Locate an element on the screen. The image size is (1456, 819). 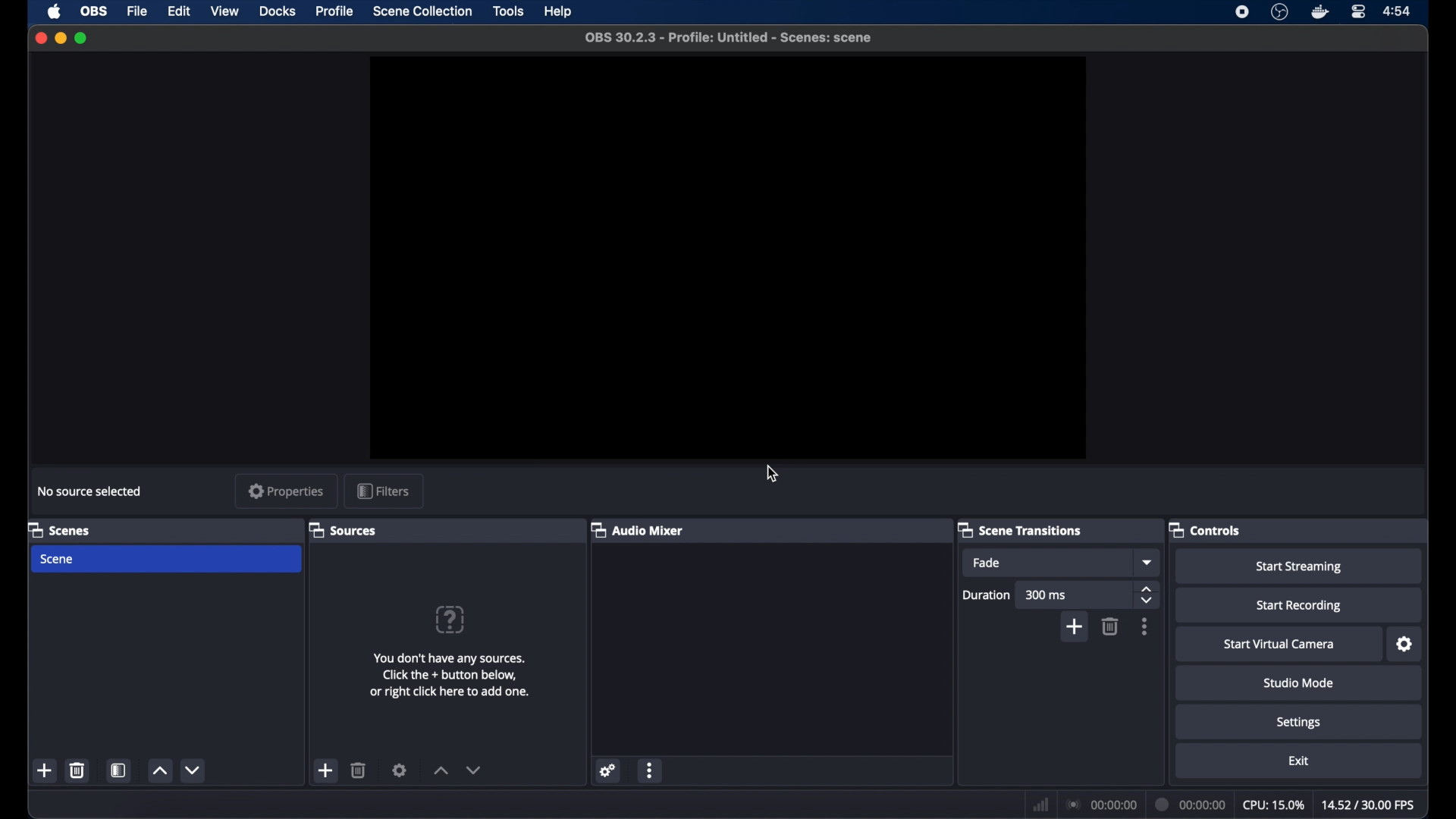
fps is located at coordinates (1373, 805).